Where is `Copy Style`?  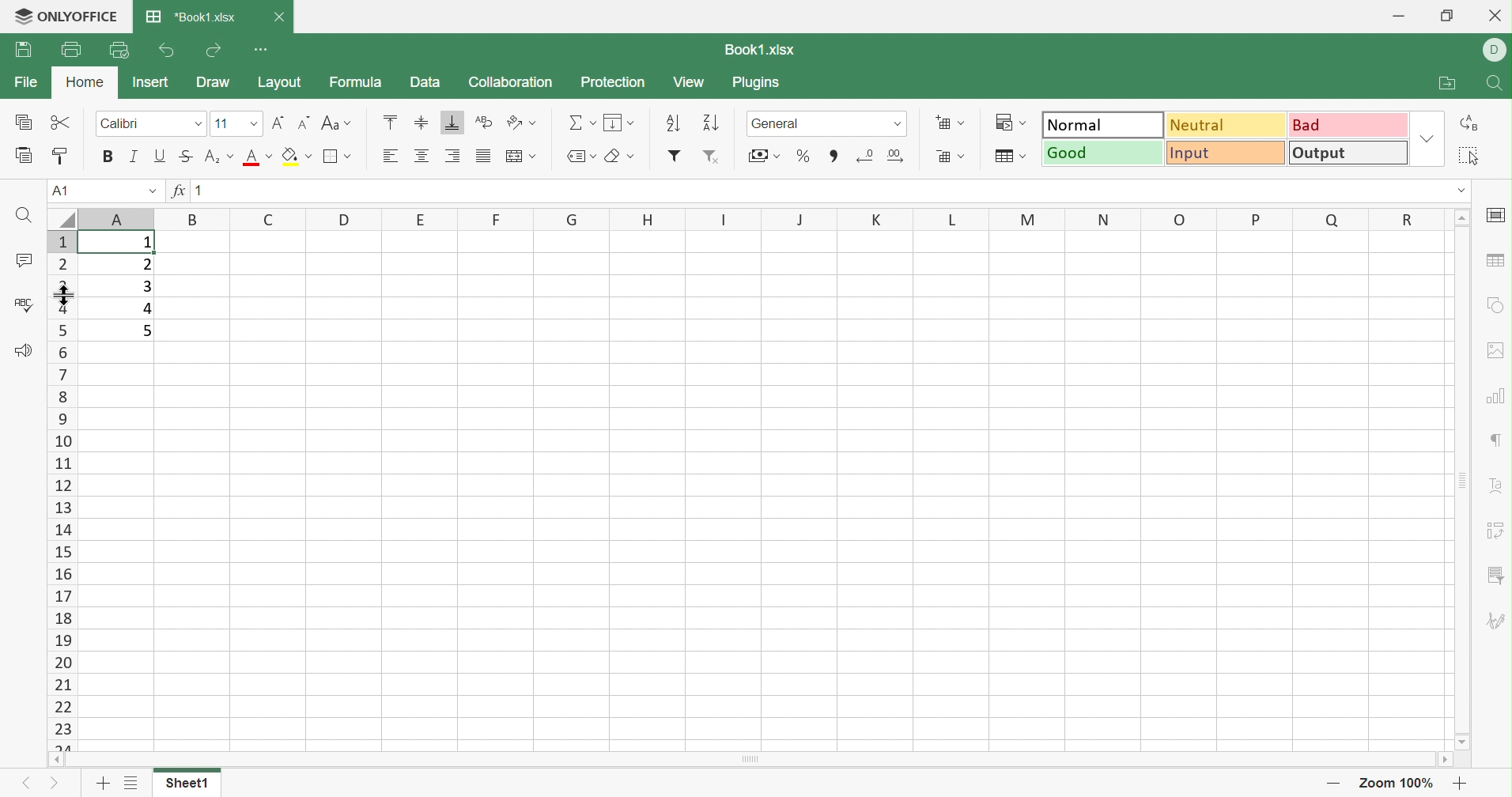
Copy Style is located at coordinates (62, 156).